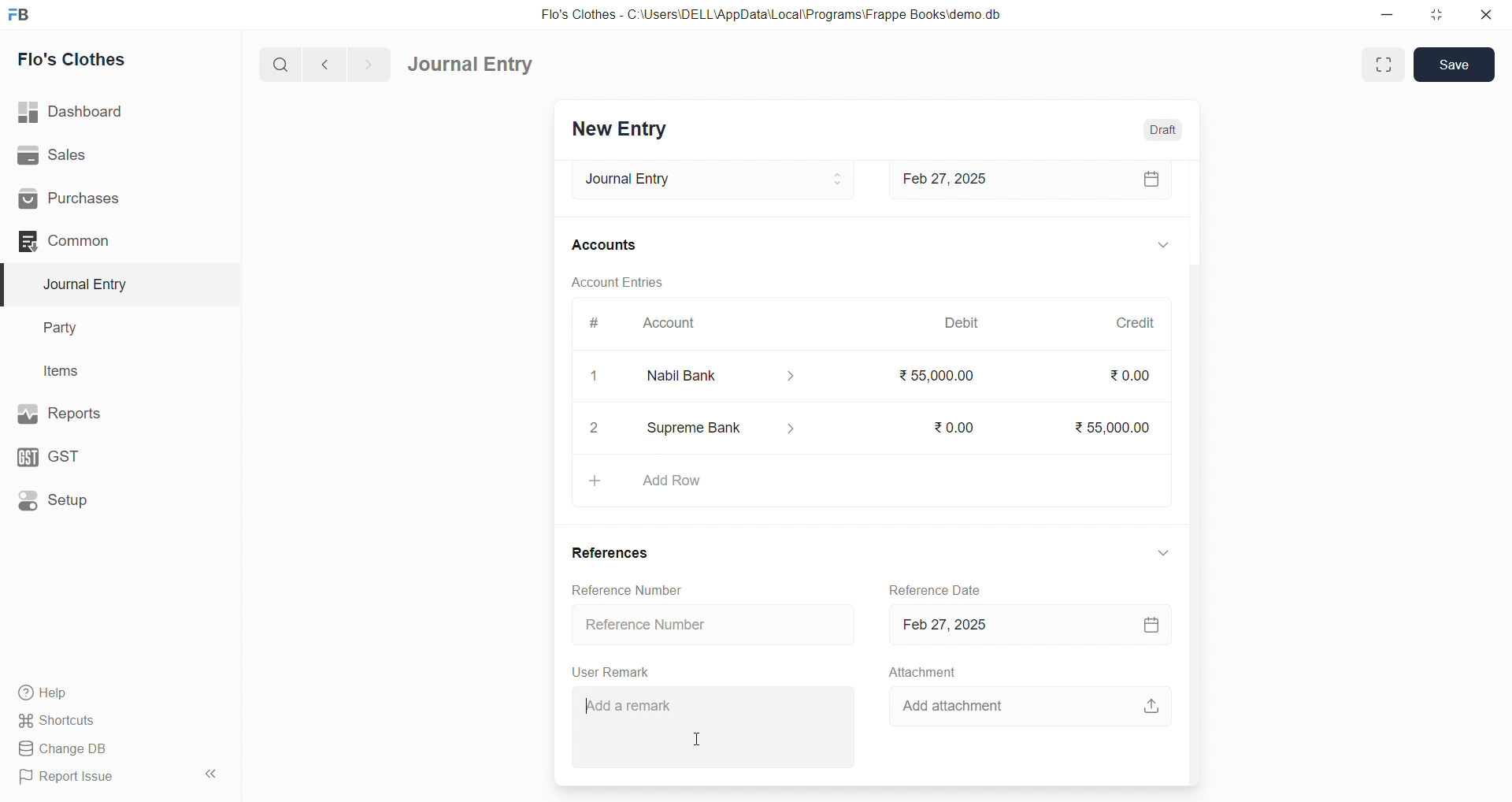 The height and width of the screenshot is (802, 1512). What do you see at coordinates (610, 671) in the screenshot?
I see `User Remark` at bounding box center [610, 671].